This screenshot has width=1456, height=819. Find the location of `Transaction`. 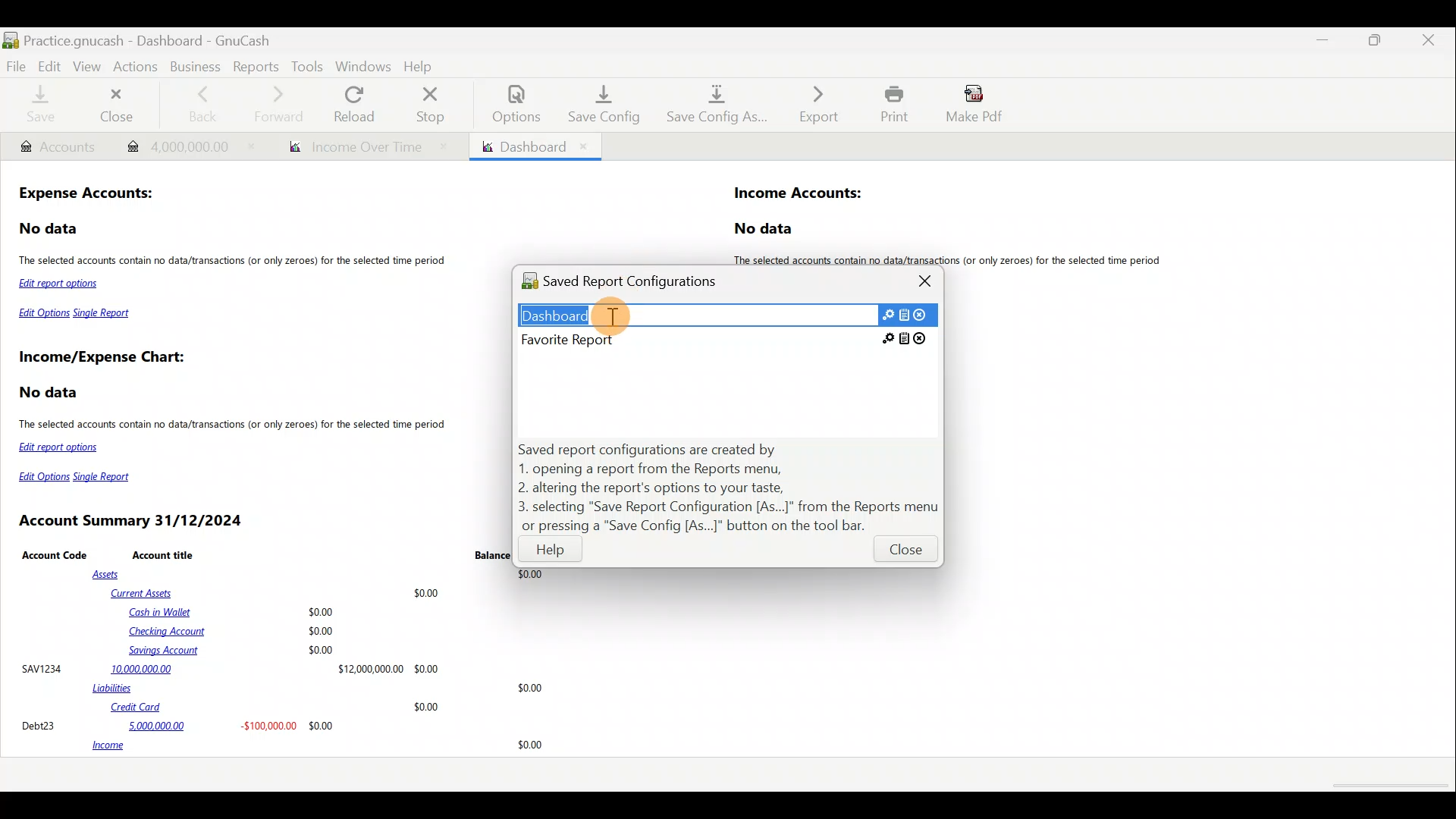

Transaction is located at coordinates (184, 145).